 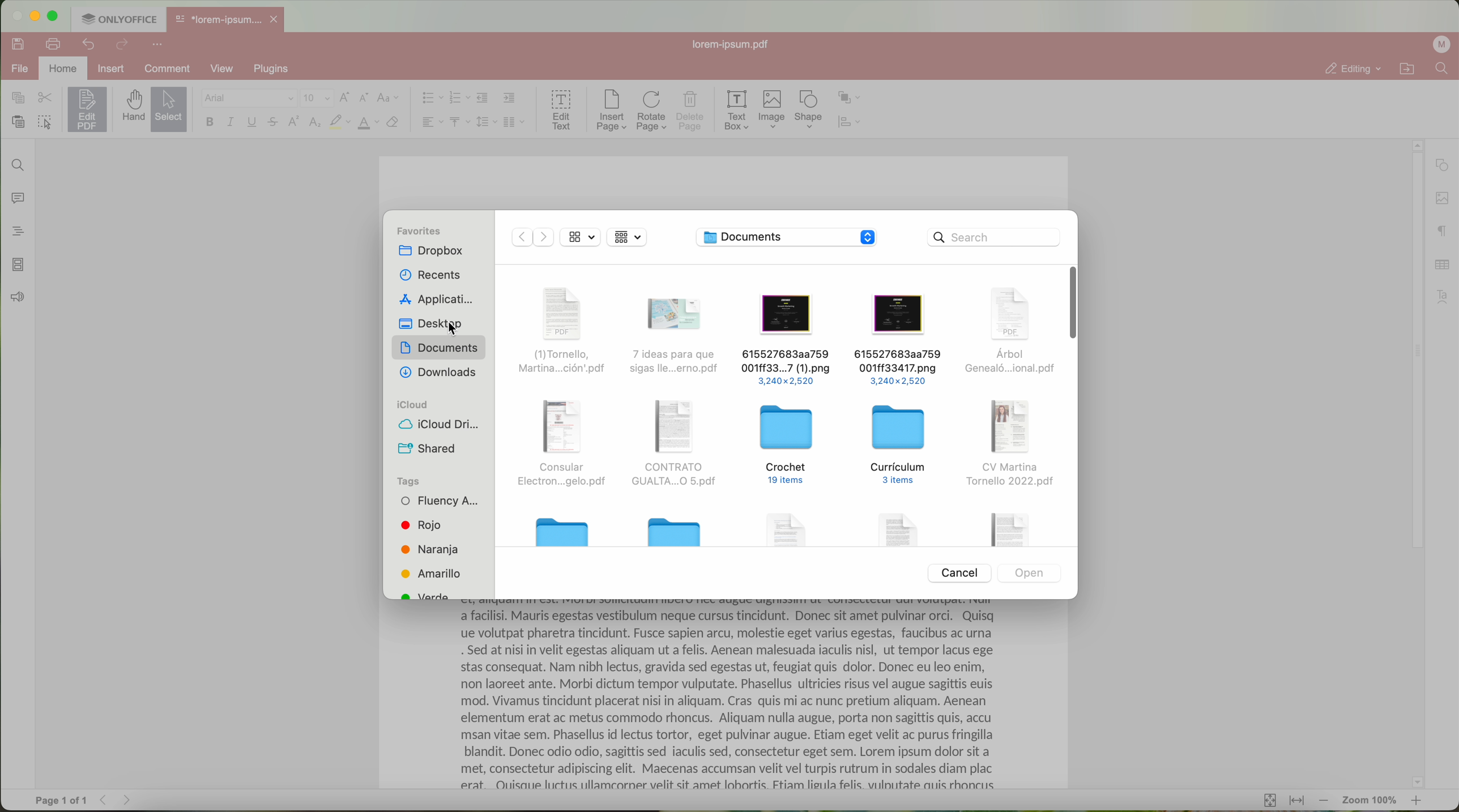 I want to click on tags, so click(x=407, y=481).